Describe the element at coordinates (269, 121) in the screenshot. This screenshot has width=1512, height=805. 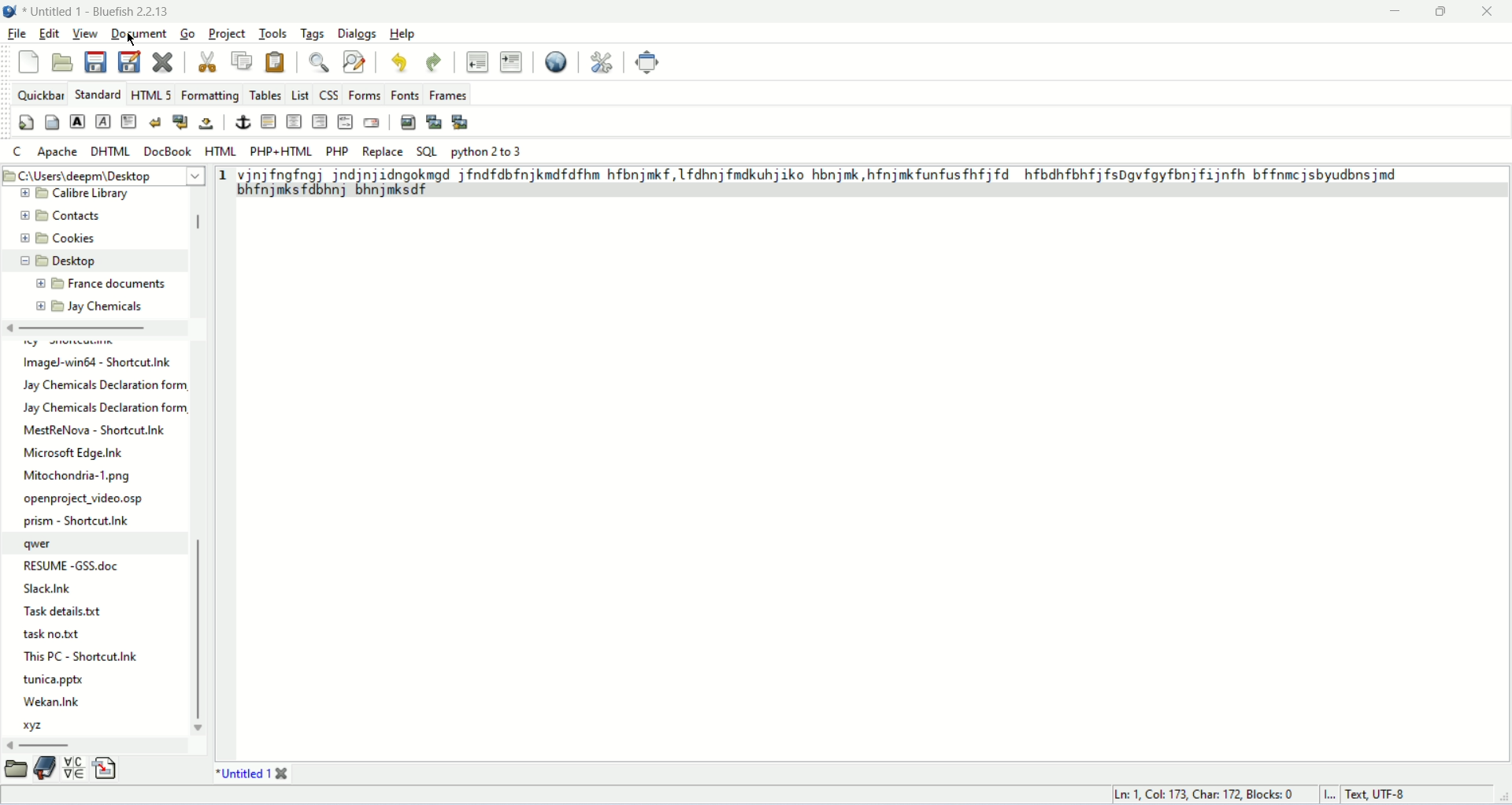
I see `horizontal rule` at that location.